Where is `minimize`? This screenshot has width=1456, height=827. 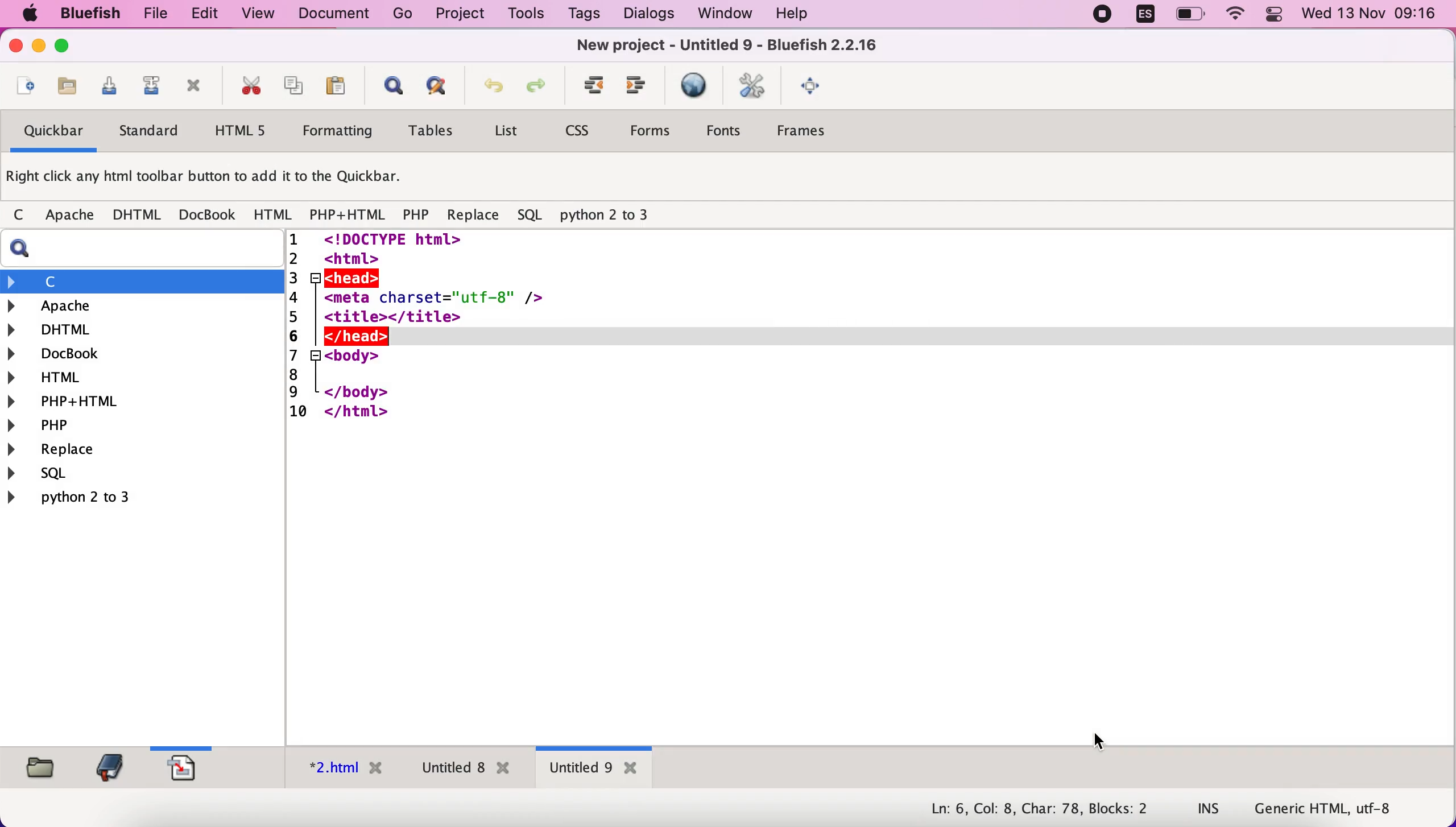 minimize is located at coordinates (39, 48).